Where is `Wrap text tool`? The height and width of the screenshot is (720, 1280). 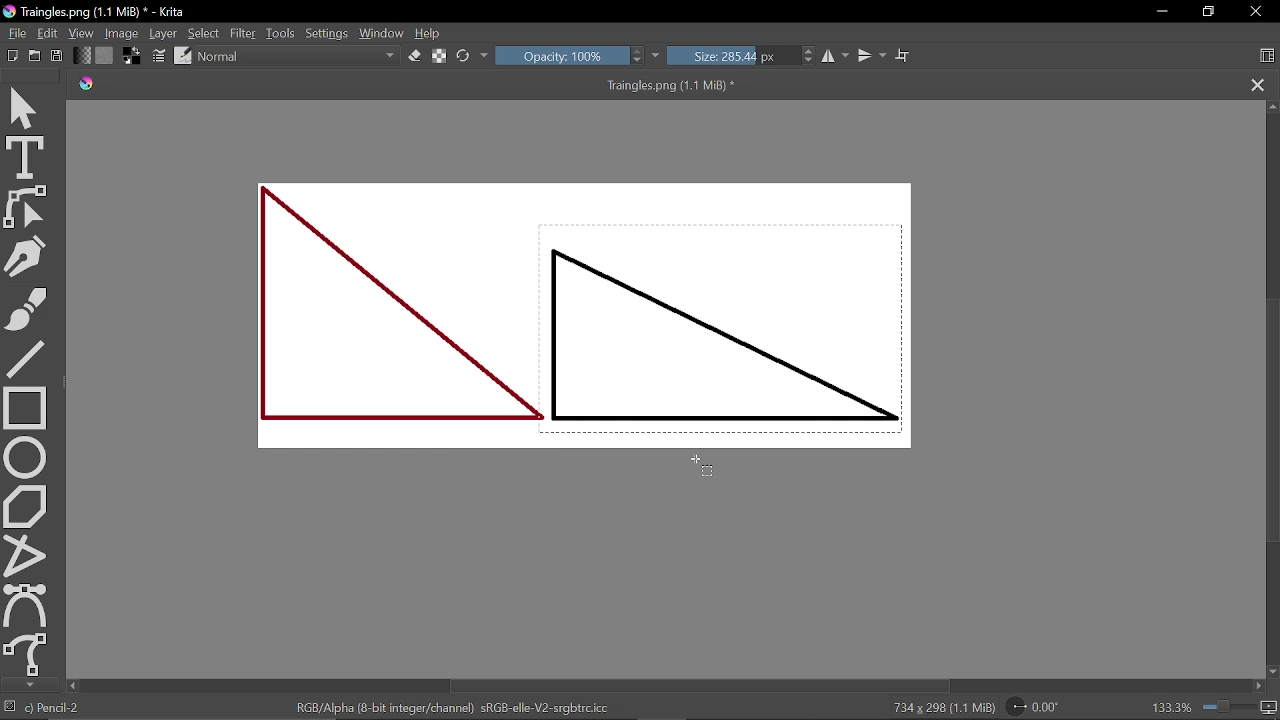 Wrap text tool is located at coordinates (902, 55).